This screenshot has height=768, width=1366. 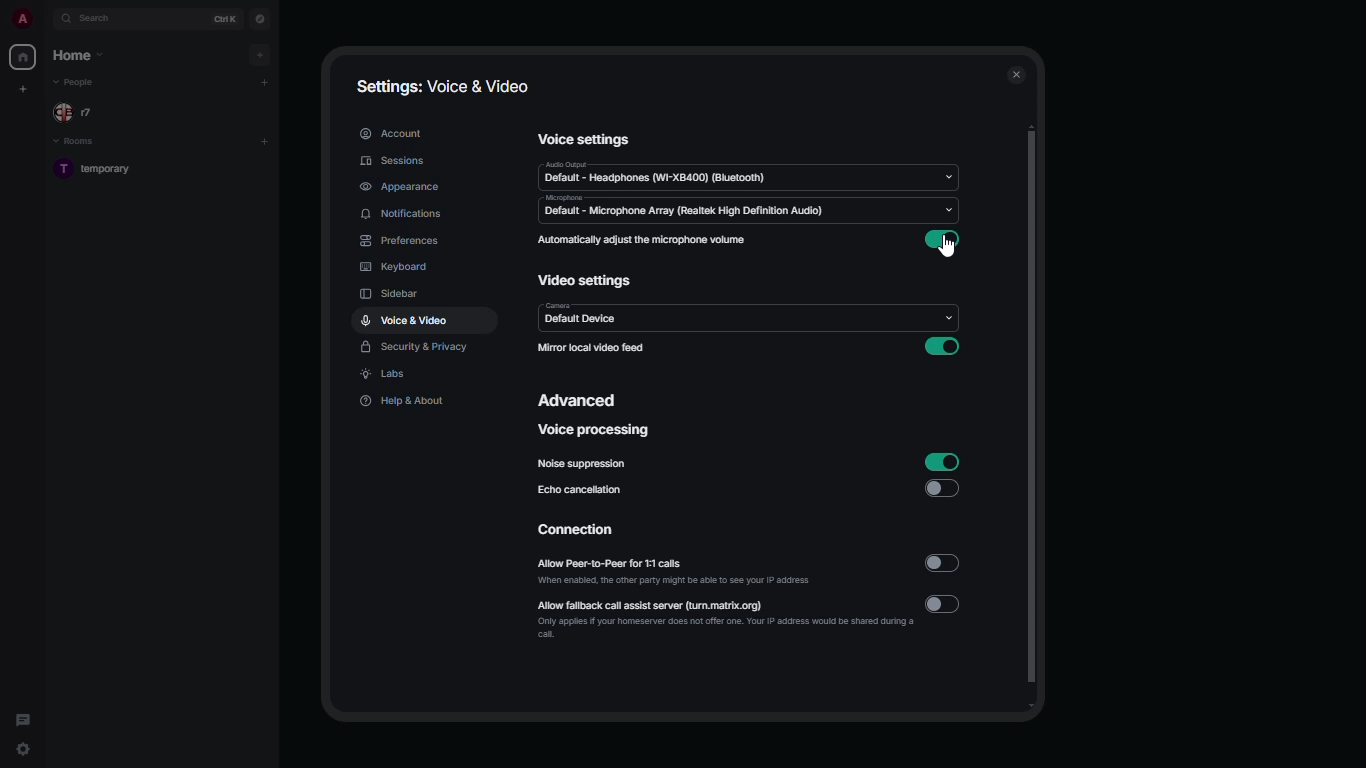 What do you see at coordinates (407, 215) in the screenshot?
I see `notifications` at bounding box center [407, 215].